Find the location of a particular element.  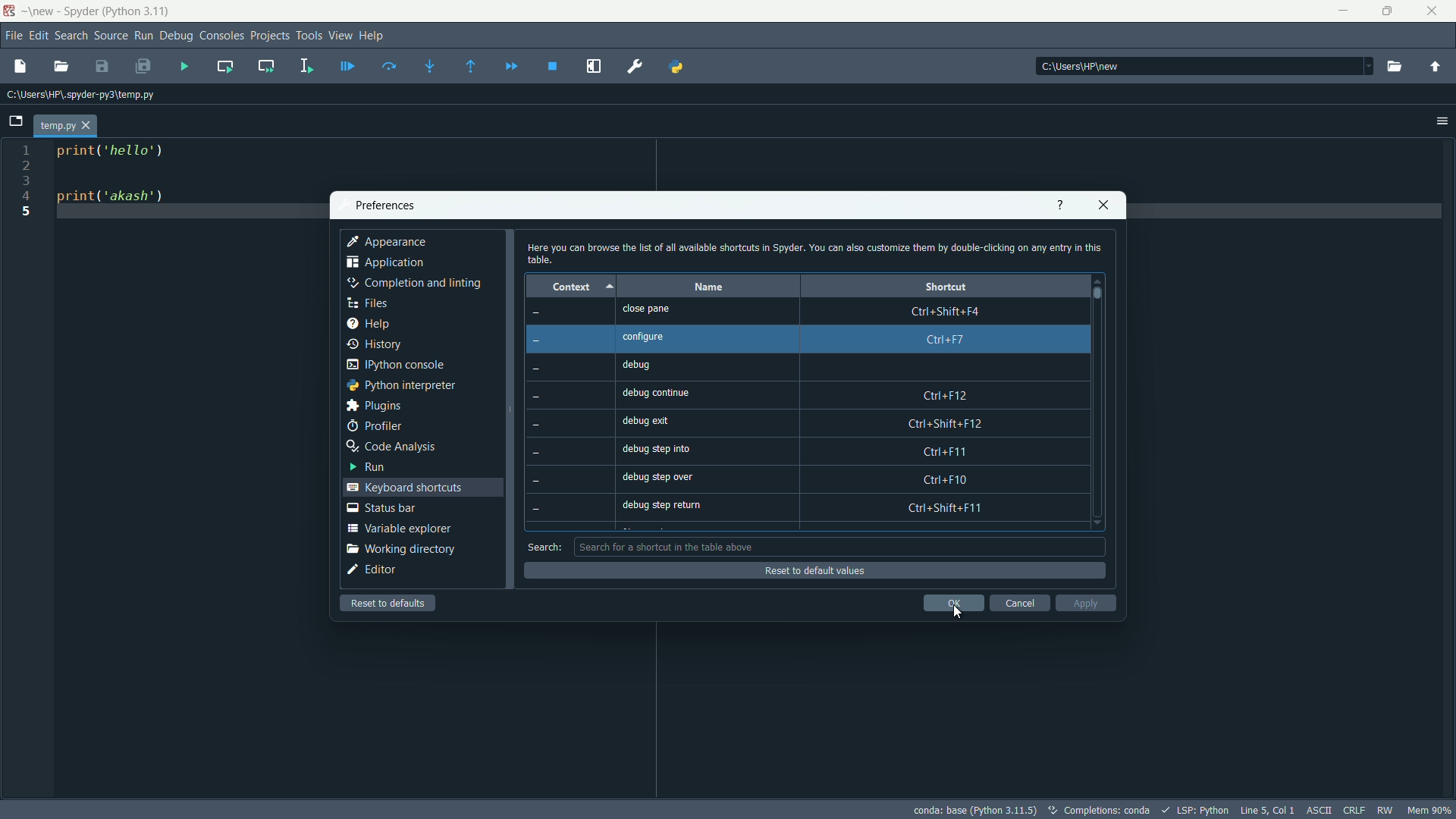

browse tabs is located at coordinates (16, 121).